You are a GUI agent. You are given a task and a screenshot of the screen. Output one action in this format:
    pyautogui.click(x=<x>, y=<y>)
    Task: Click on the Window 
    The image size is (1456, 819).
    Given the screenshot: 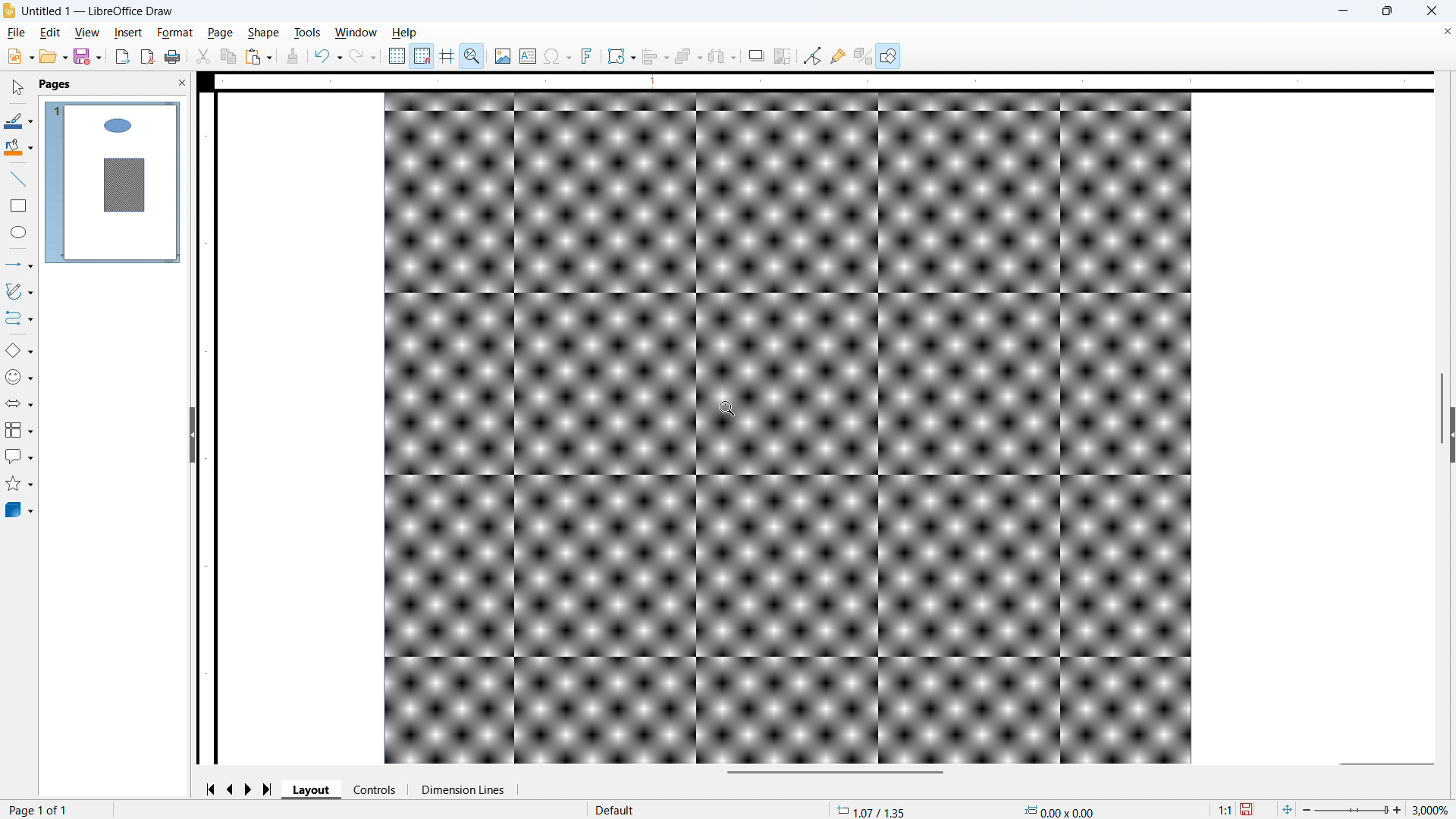 What is the action you would take?
    pyautogui.click(x=356, y=33)
    